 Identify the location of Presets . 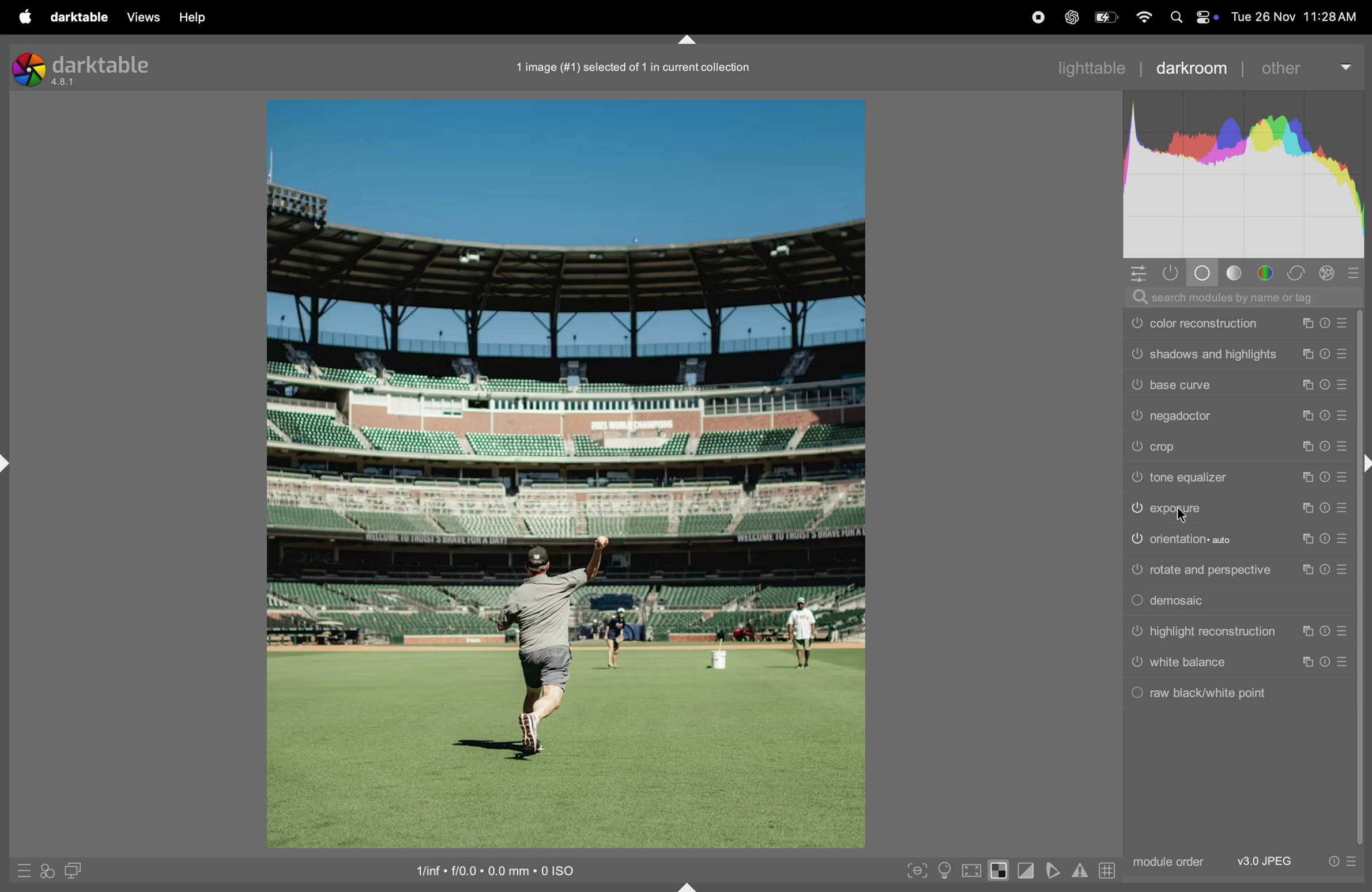
(1344, 538).